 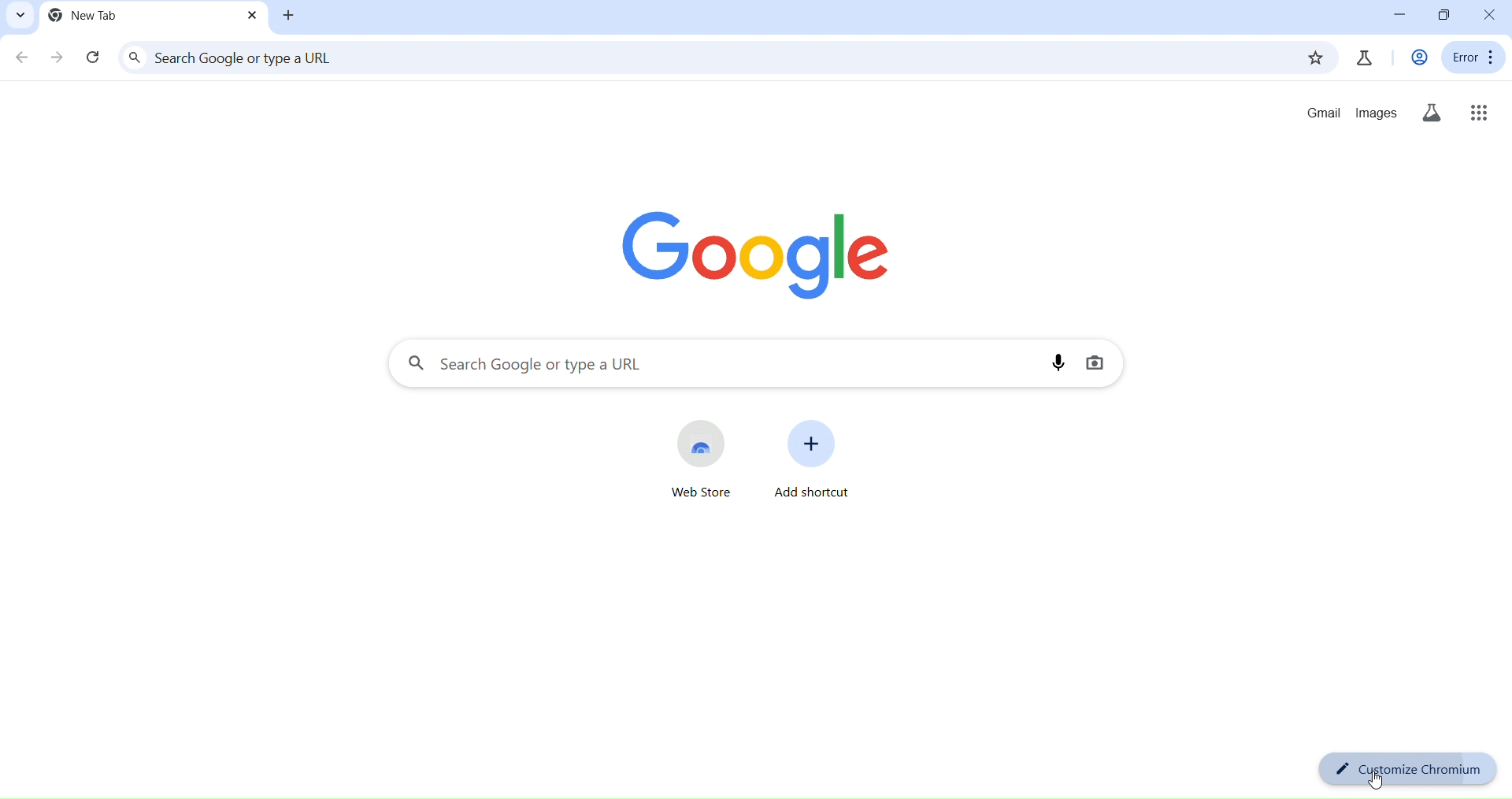 What do you see at coordinates (95, 59) in the screenshot?
I see `reload page` at bounding box center [95, 59].